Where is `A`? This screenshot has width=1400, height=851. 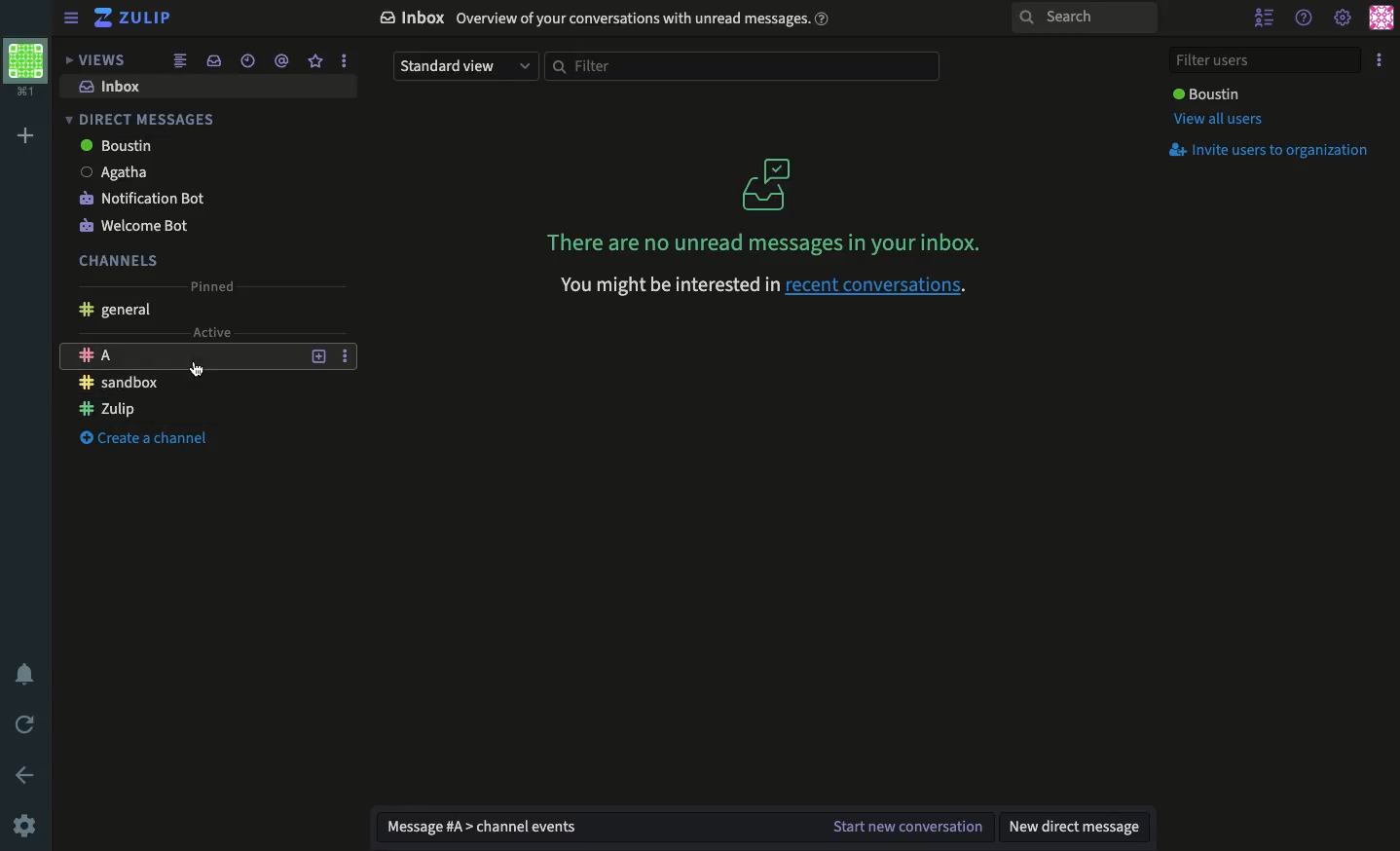 A is located at coordinates (180, 357).